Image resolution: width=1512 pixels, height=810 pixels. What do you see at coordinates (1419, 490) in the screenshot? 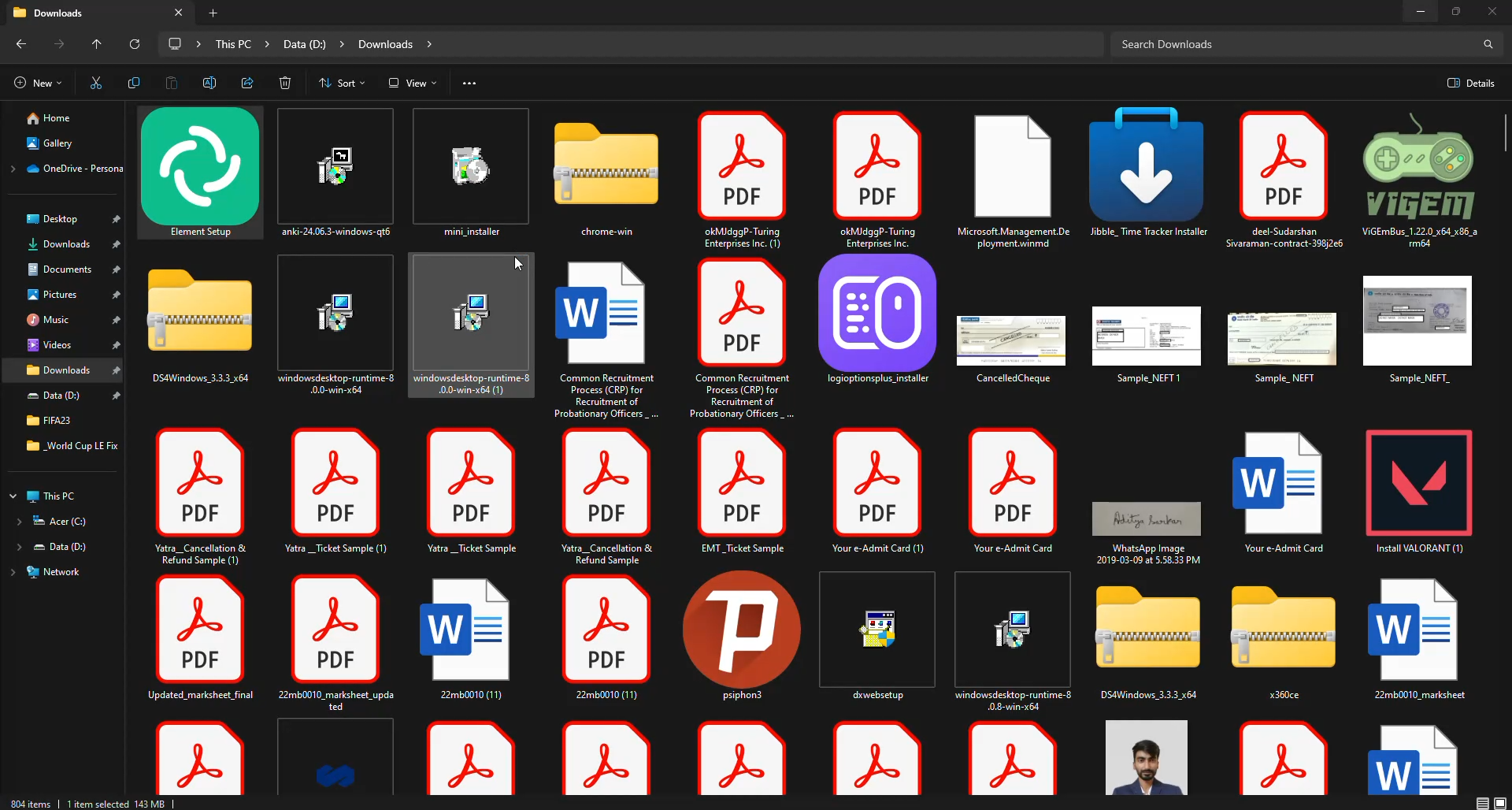
I see `file` at bounding box center [1419, 490].